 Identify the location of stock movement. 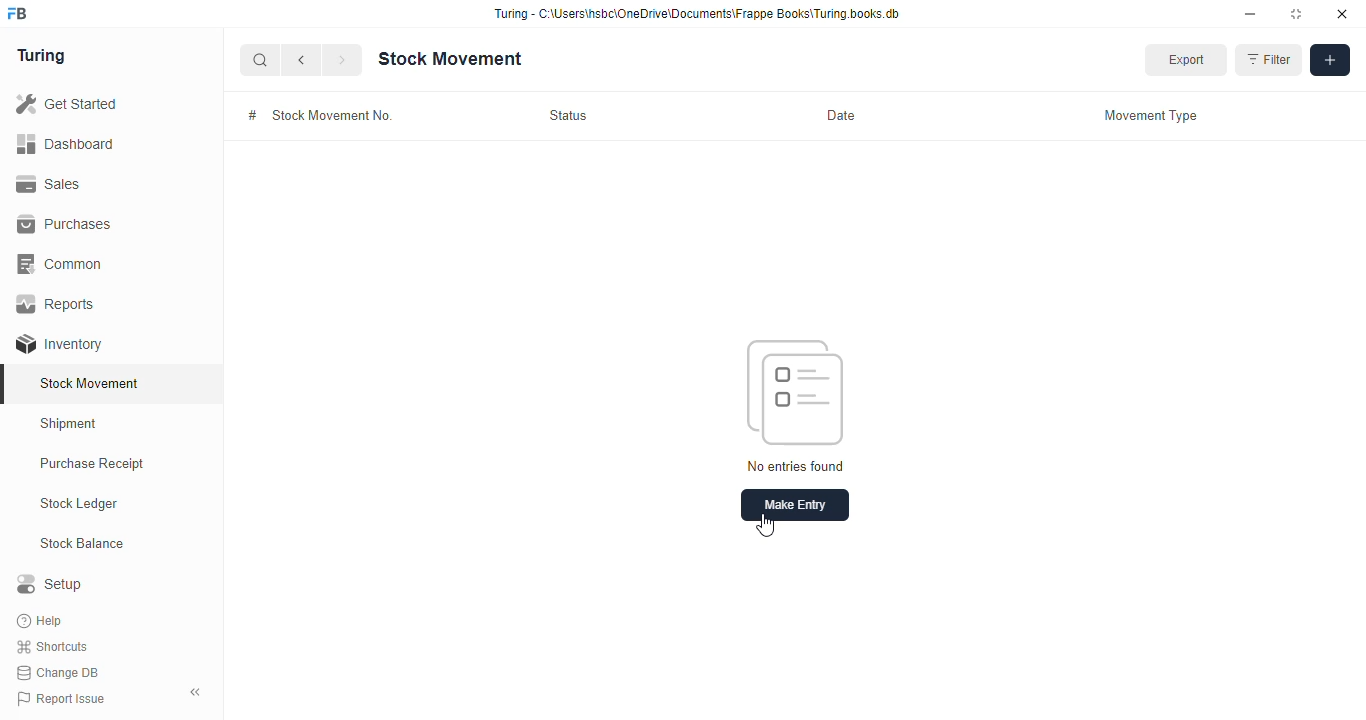
(91, 383).